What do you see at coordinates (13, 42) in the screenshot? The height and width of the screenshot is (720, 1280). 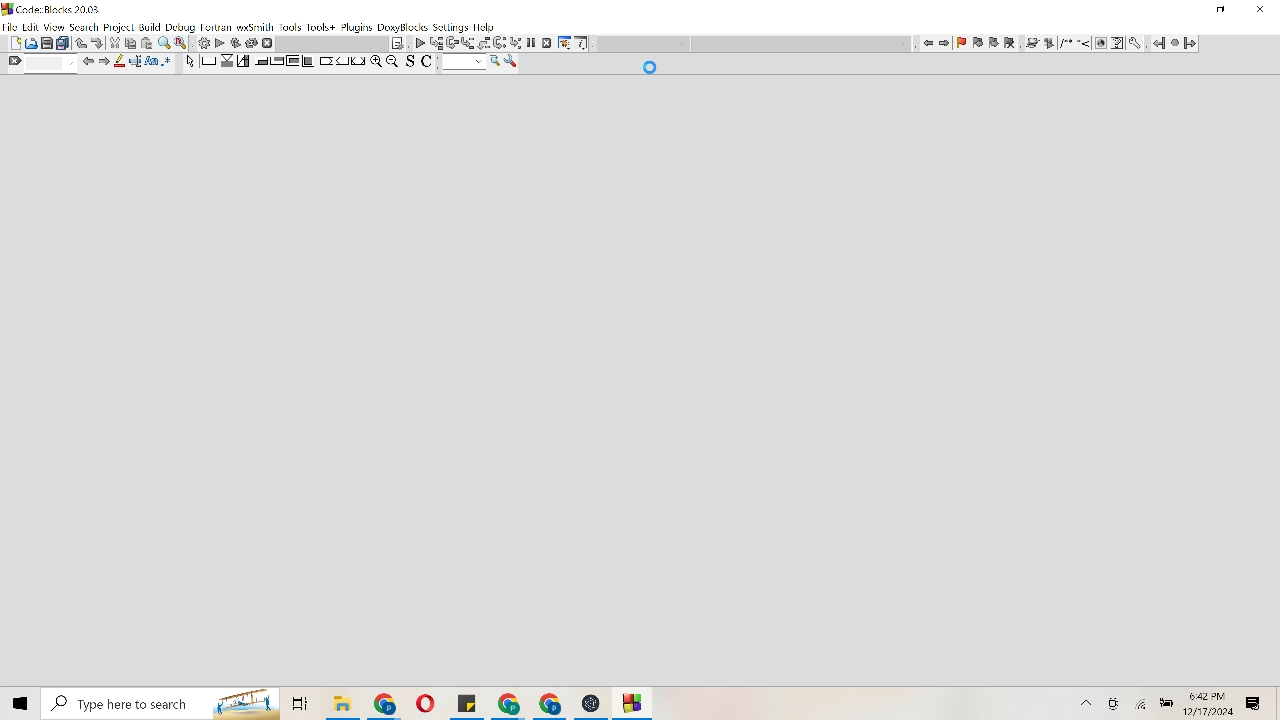 I see `Document` at bounding box center [13, 42].